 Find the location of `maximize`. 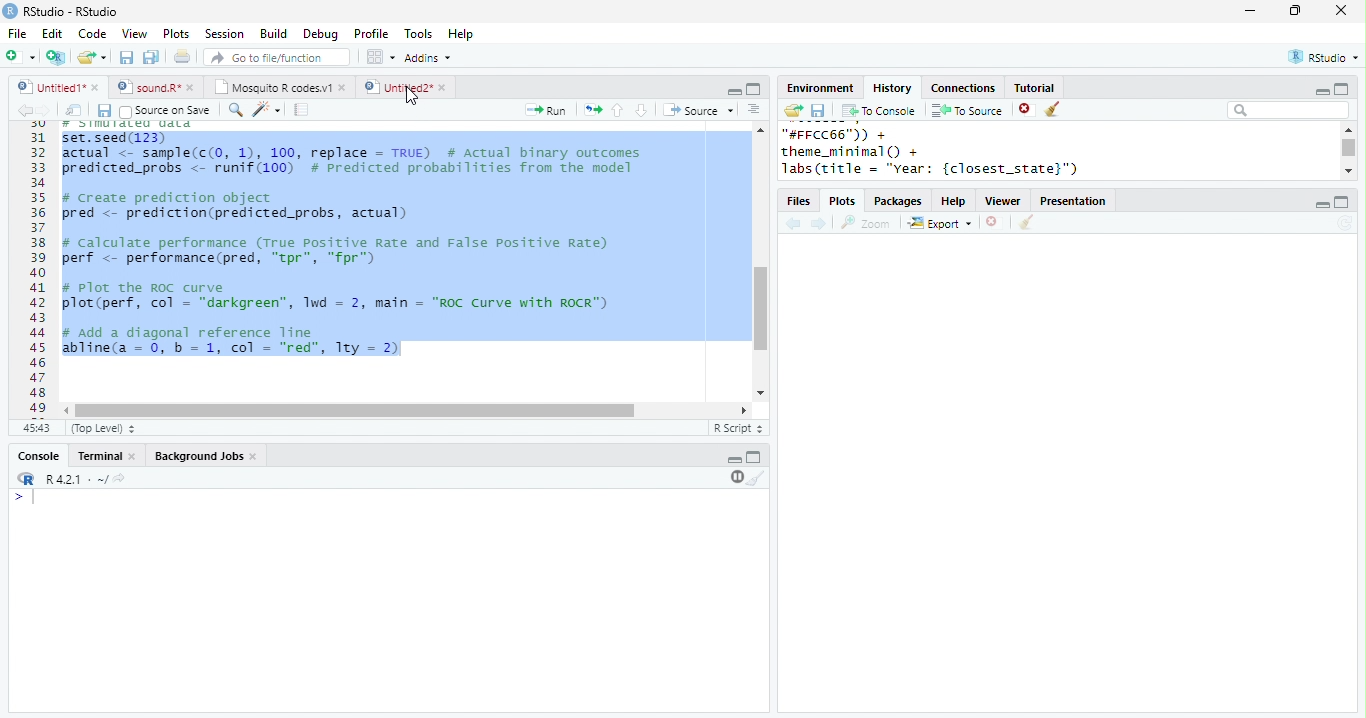

maximize is located at coordinates (1342, 202).